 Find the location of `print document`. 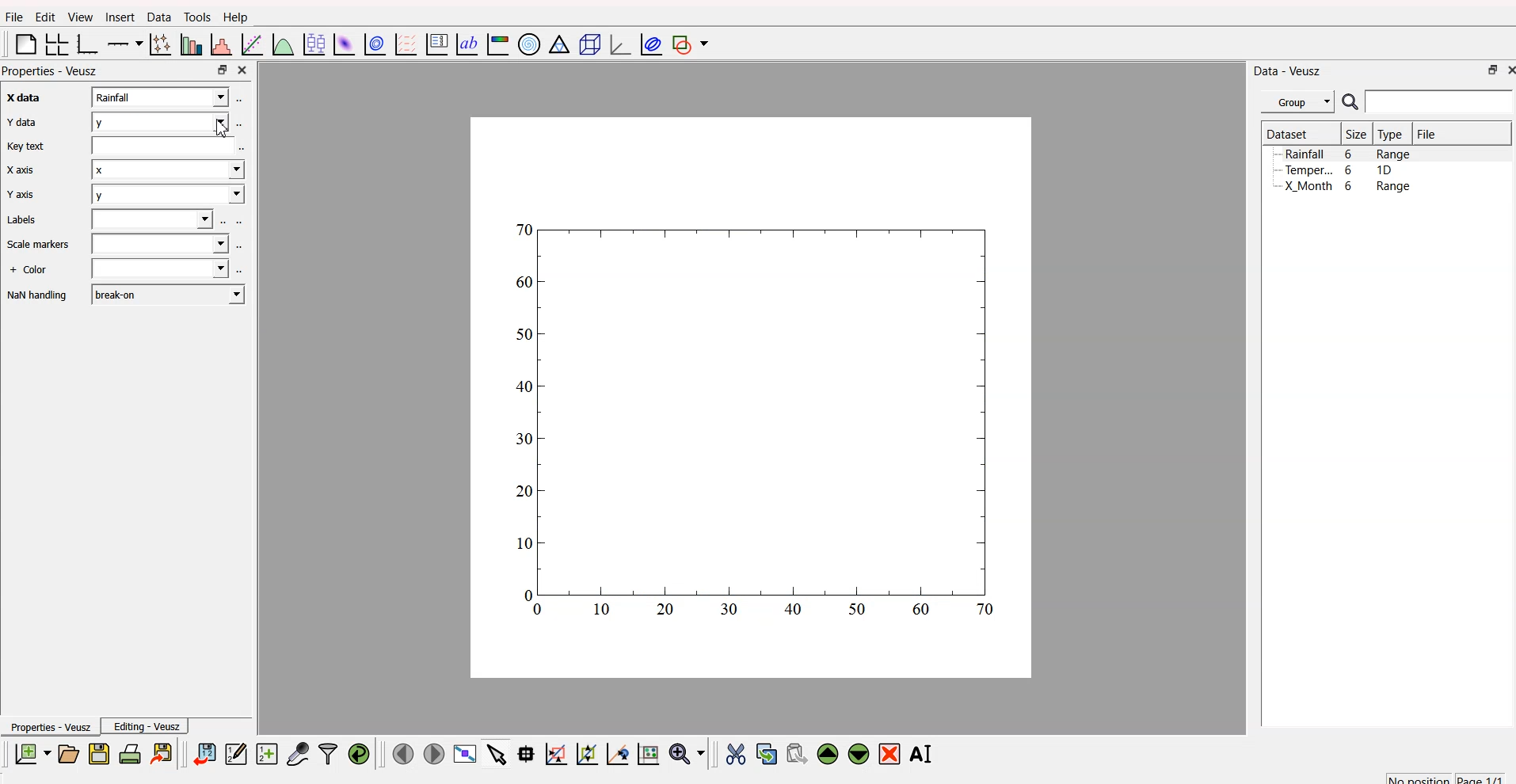

print document is located at coordinates (130, 753).